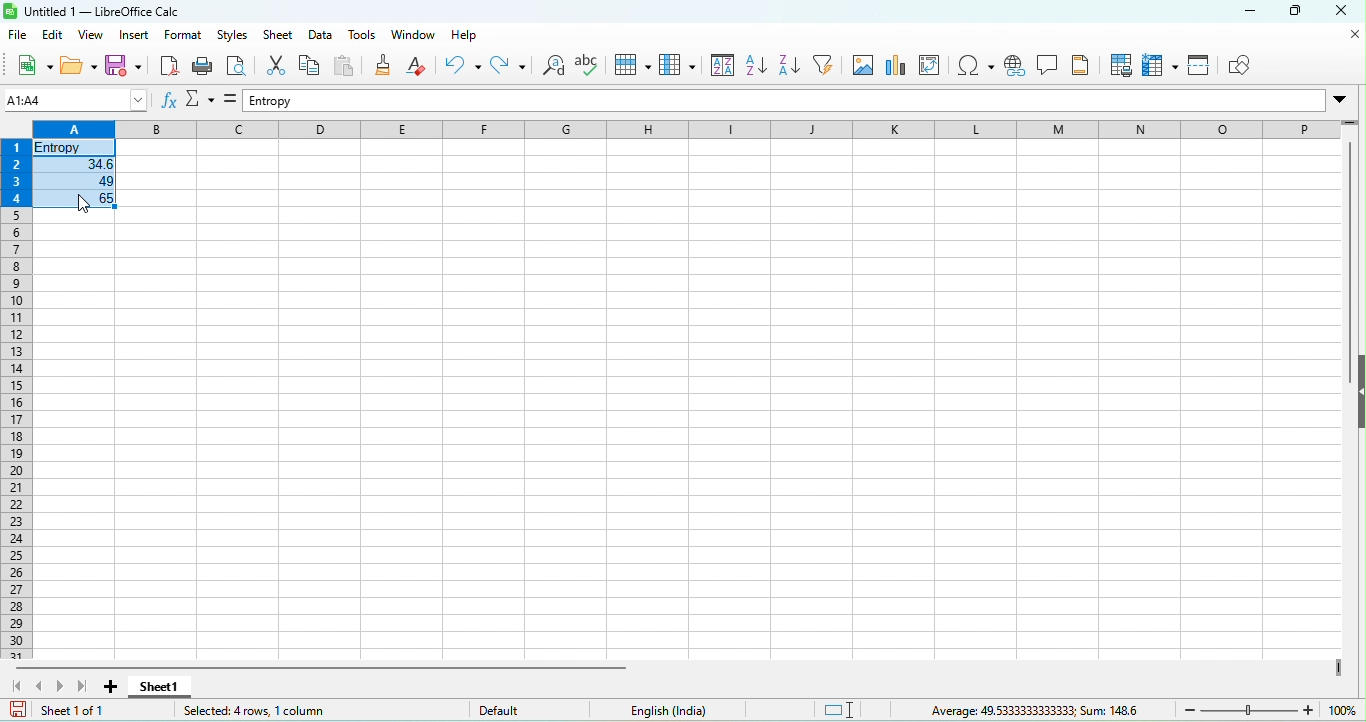 The width and height of the screenshot is (1366, 722). Describe the element at coordinates (1346, 12) in the screenshot. I see `close` at that location.